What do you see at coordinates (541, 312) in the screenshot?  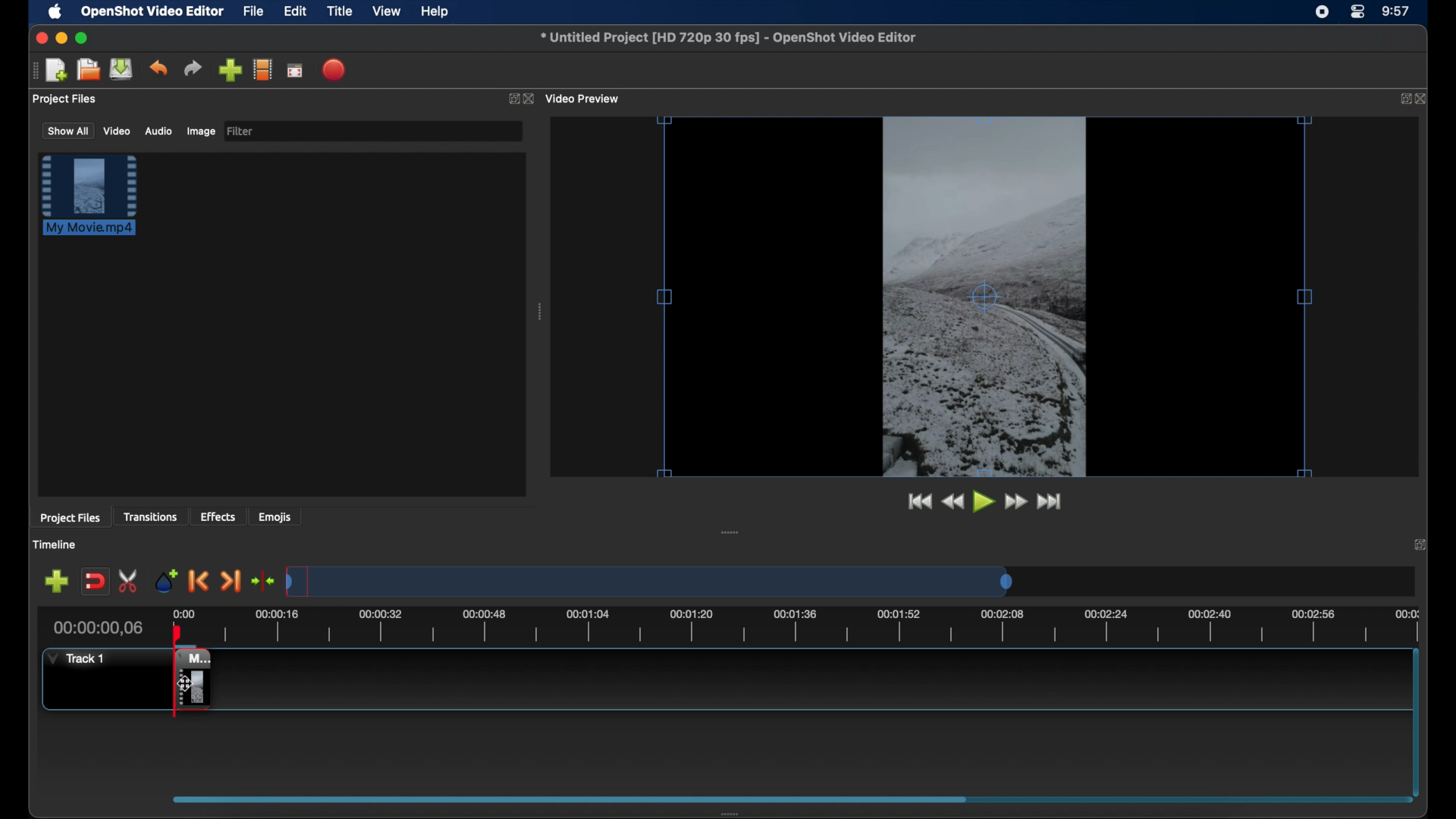 I see `drag handle` at bounding box center [541, 312].